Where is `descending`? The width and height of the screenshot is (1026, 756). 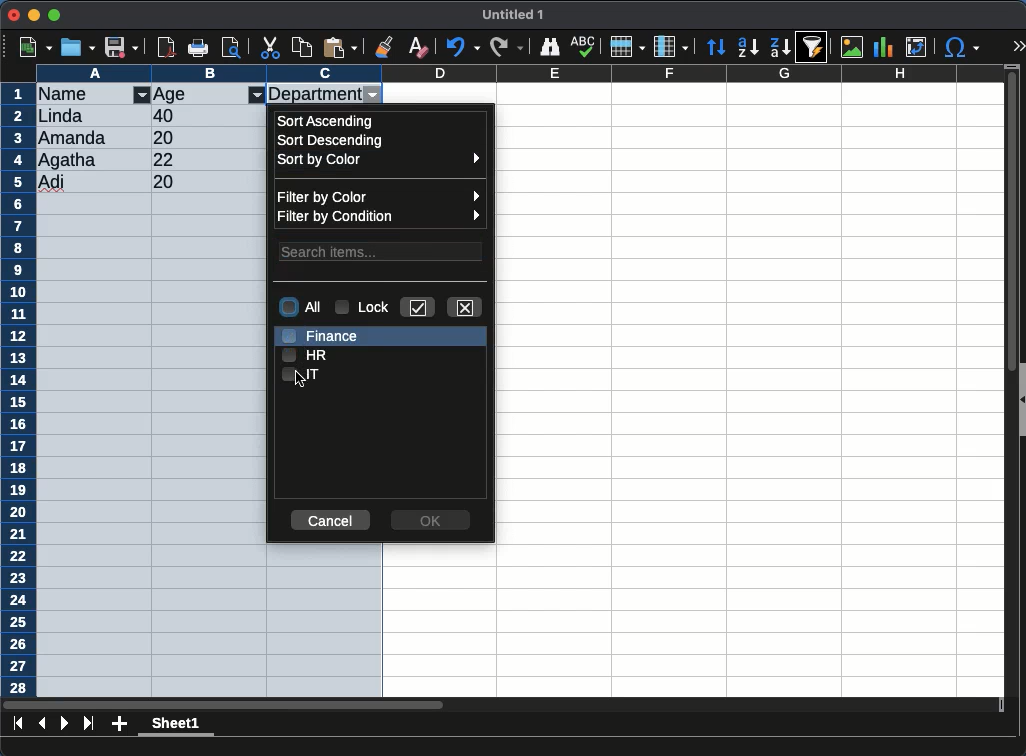 descending is located at coordinates (779, 46).